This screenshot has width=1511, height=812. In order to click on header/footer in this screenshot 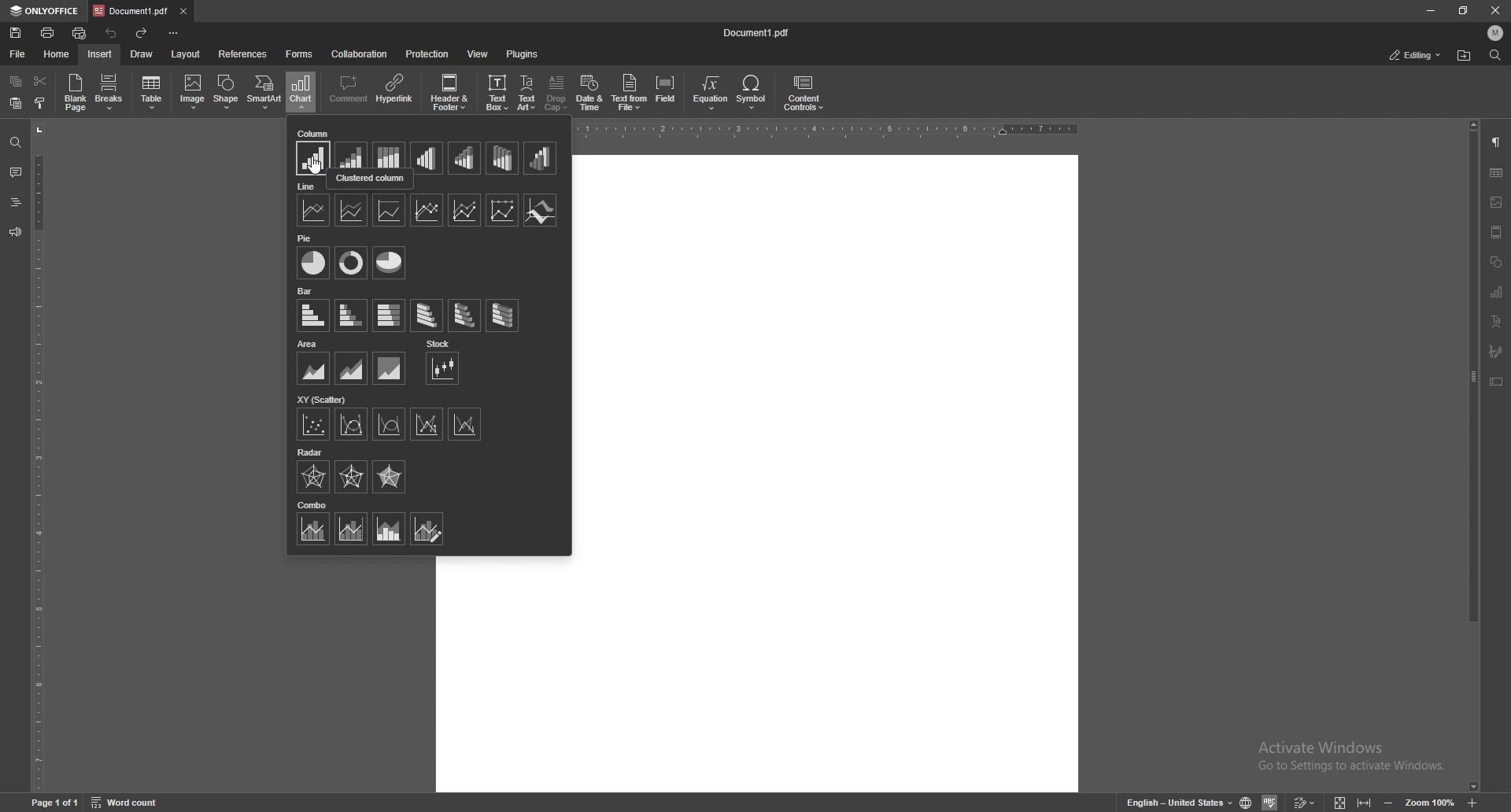, I will do `click(1498, 232)`.